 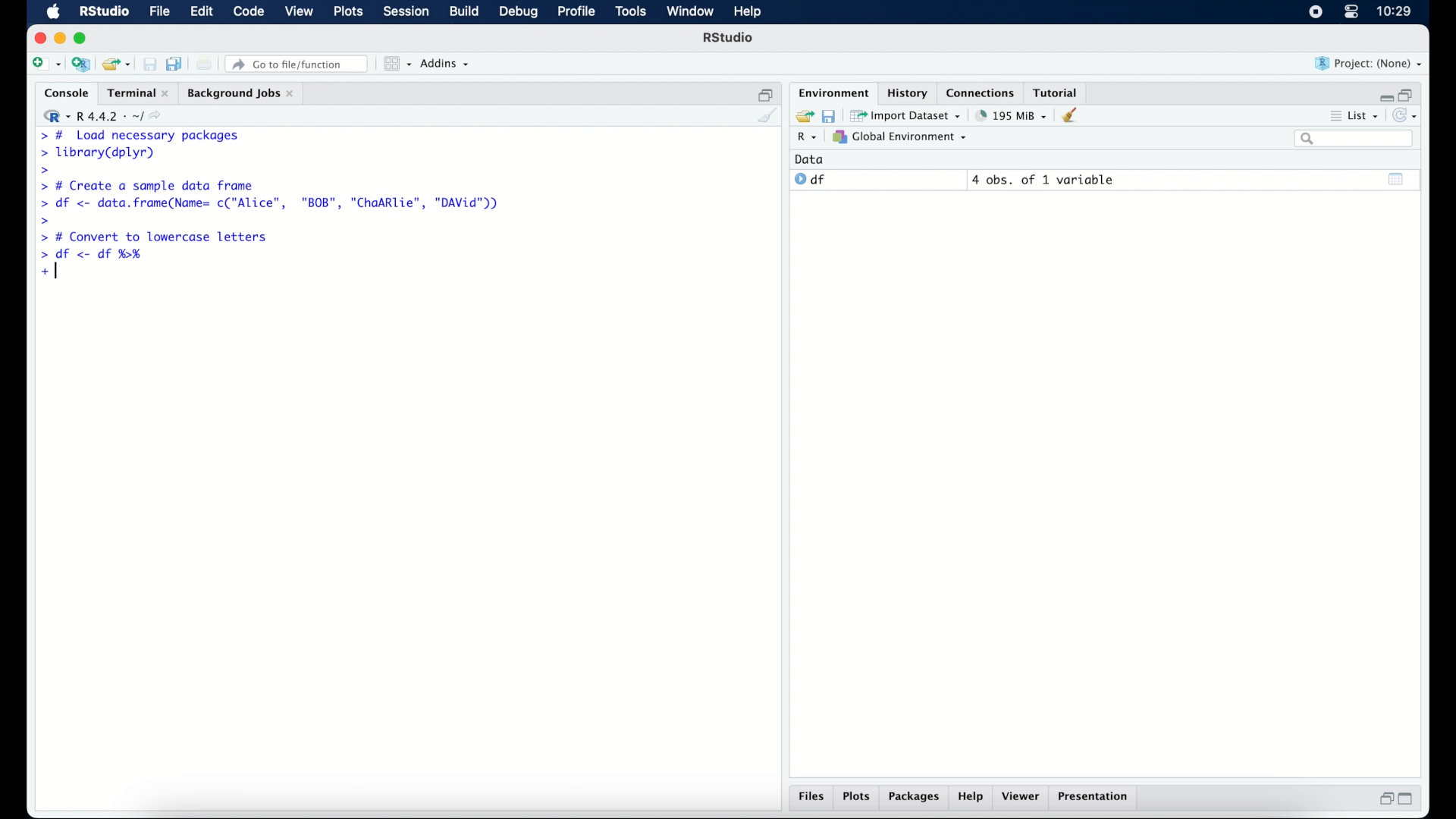 What do you see at coordinates (133, 93) in the screenshot?
I see `Terminal` at bounding box center [133, 93].